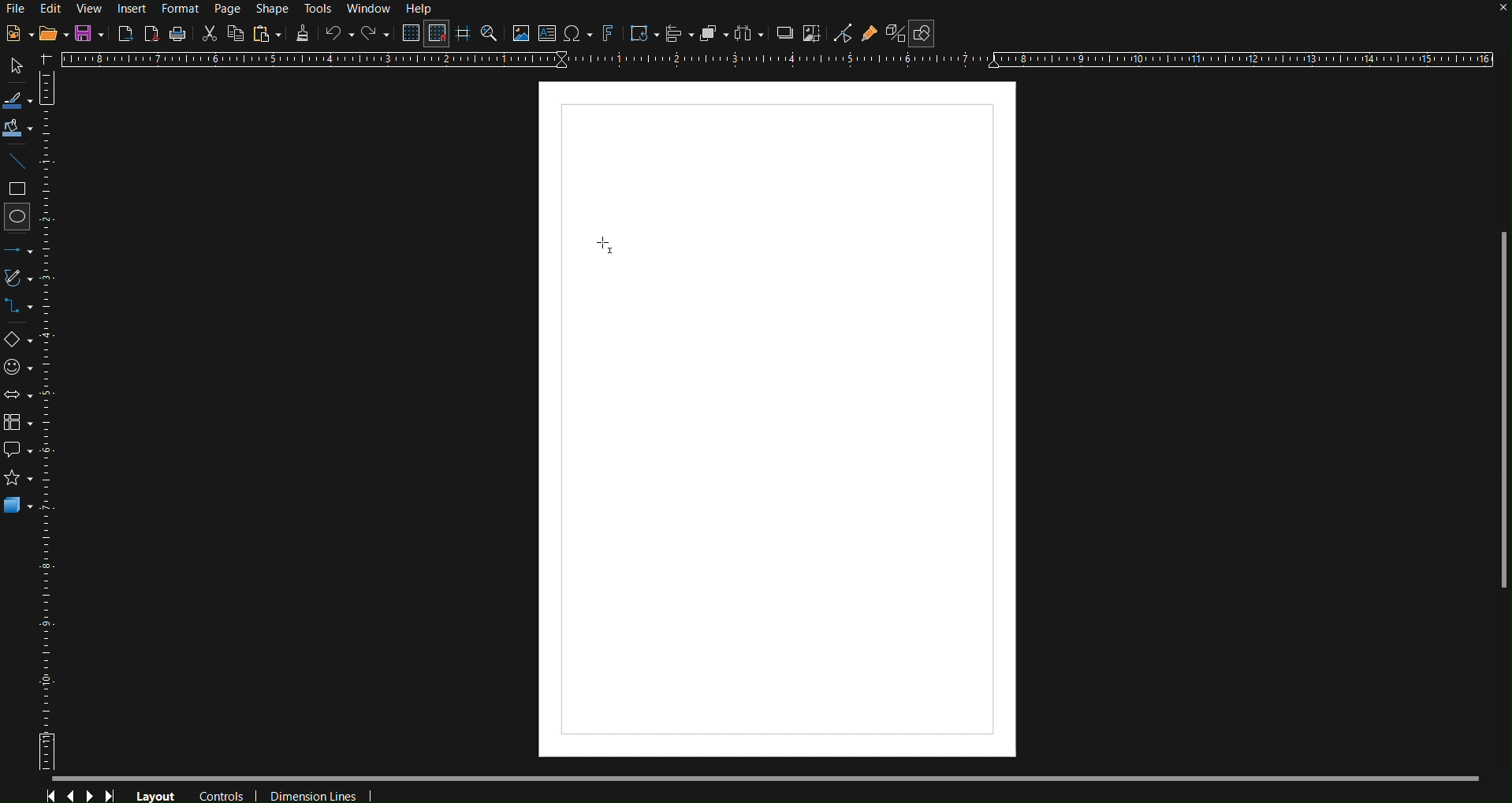  I want to click on Select objects to distribute, so click(749, 35).